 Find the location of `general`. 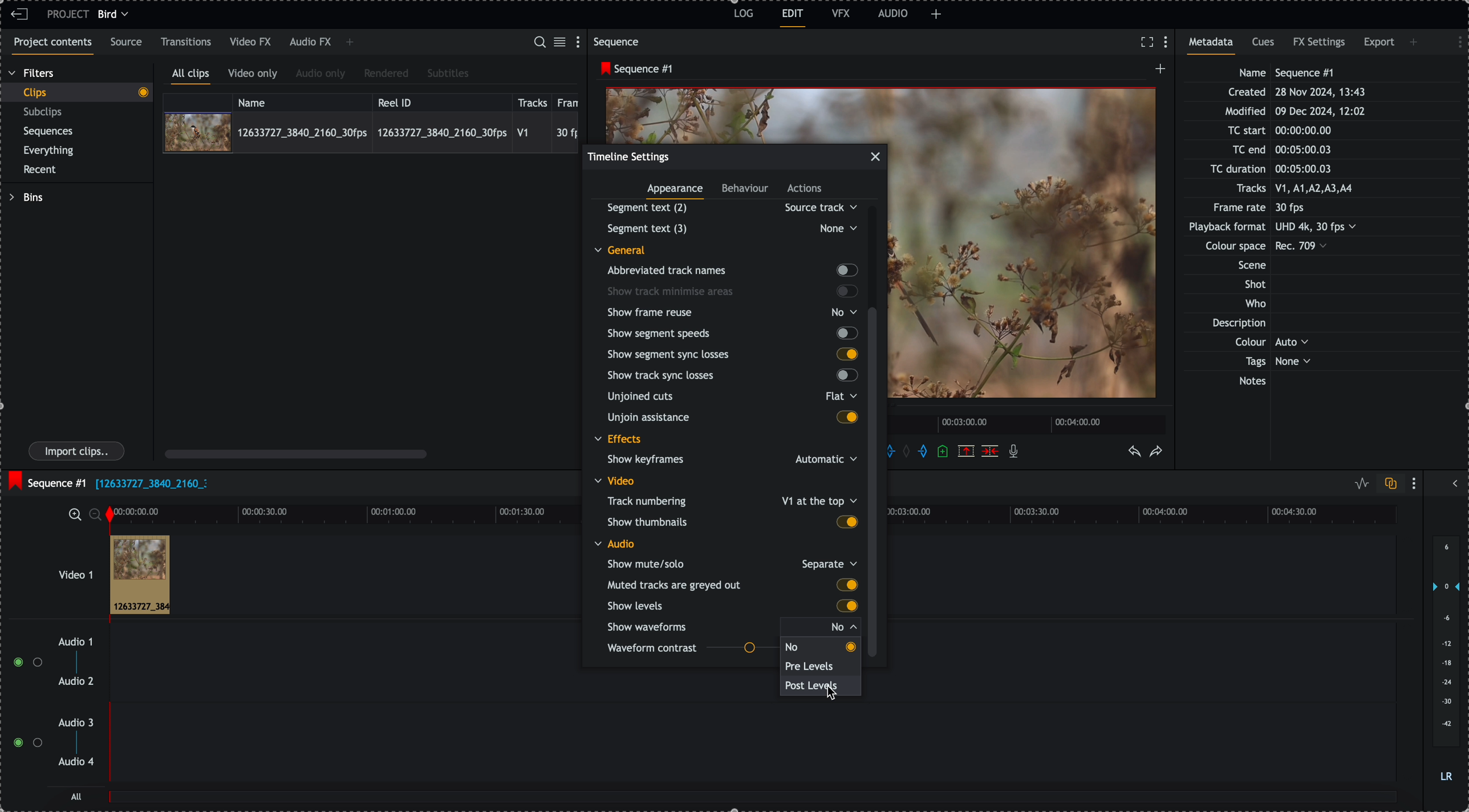

general is located at coordinates (628, 249).